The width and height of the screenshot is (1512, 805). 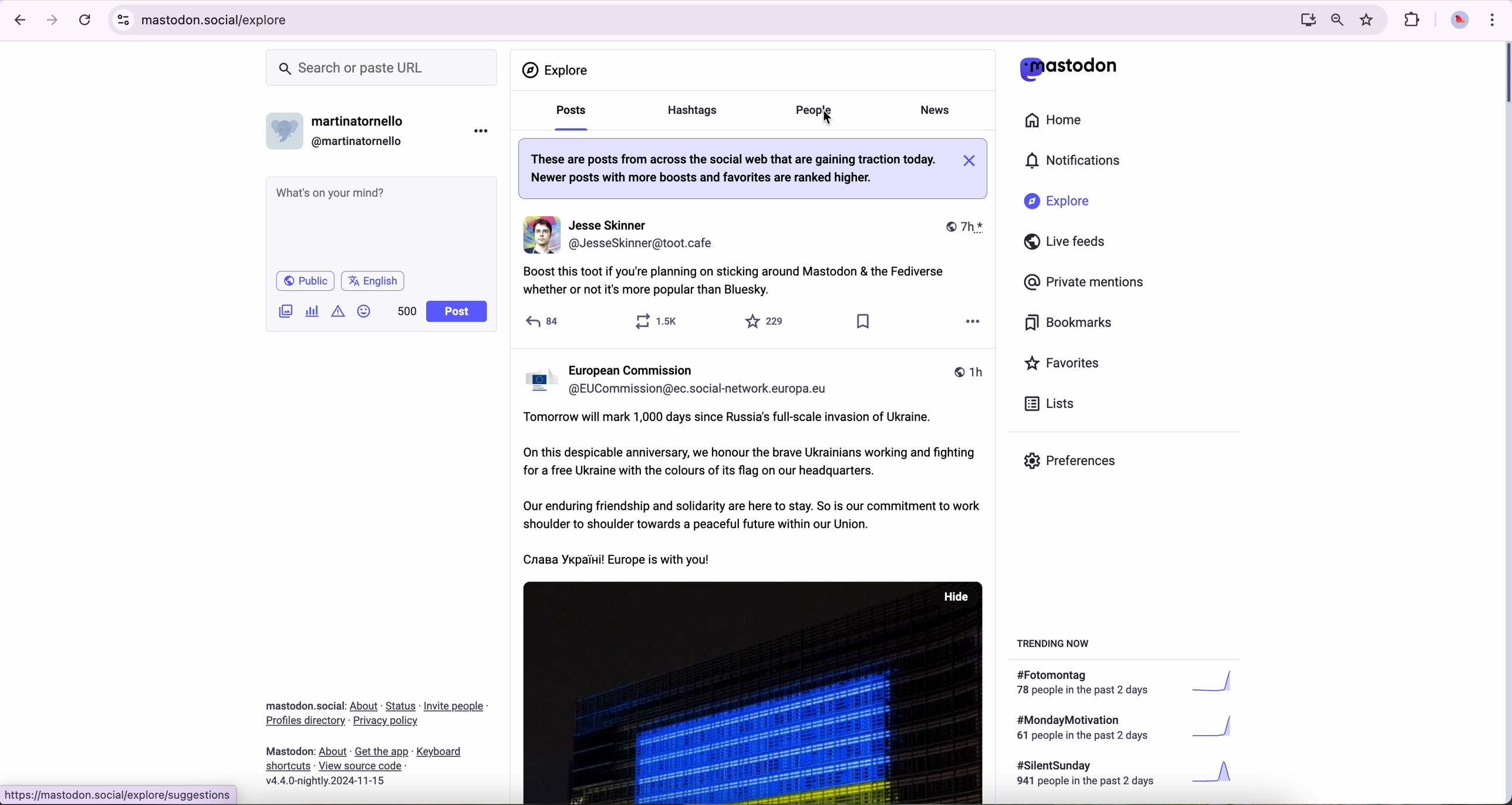 What do you see at coordinates (484, 130) in the screenshot?
I see `more options` at bounding box center [484, 130].